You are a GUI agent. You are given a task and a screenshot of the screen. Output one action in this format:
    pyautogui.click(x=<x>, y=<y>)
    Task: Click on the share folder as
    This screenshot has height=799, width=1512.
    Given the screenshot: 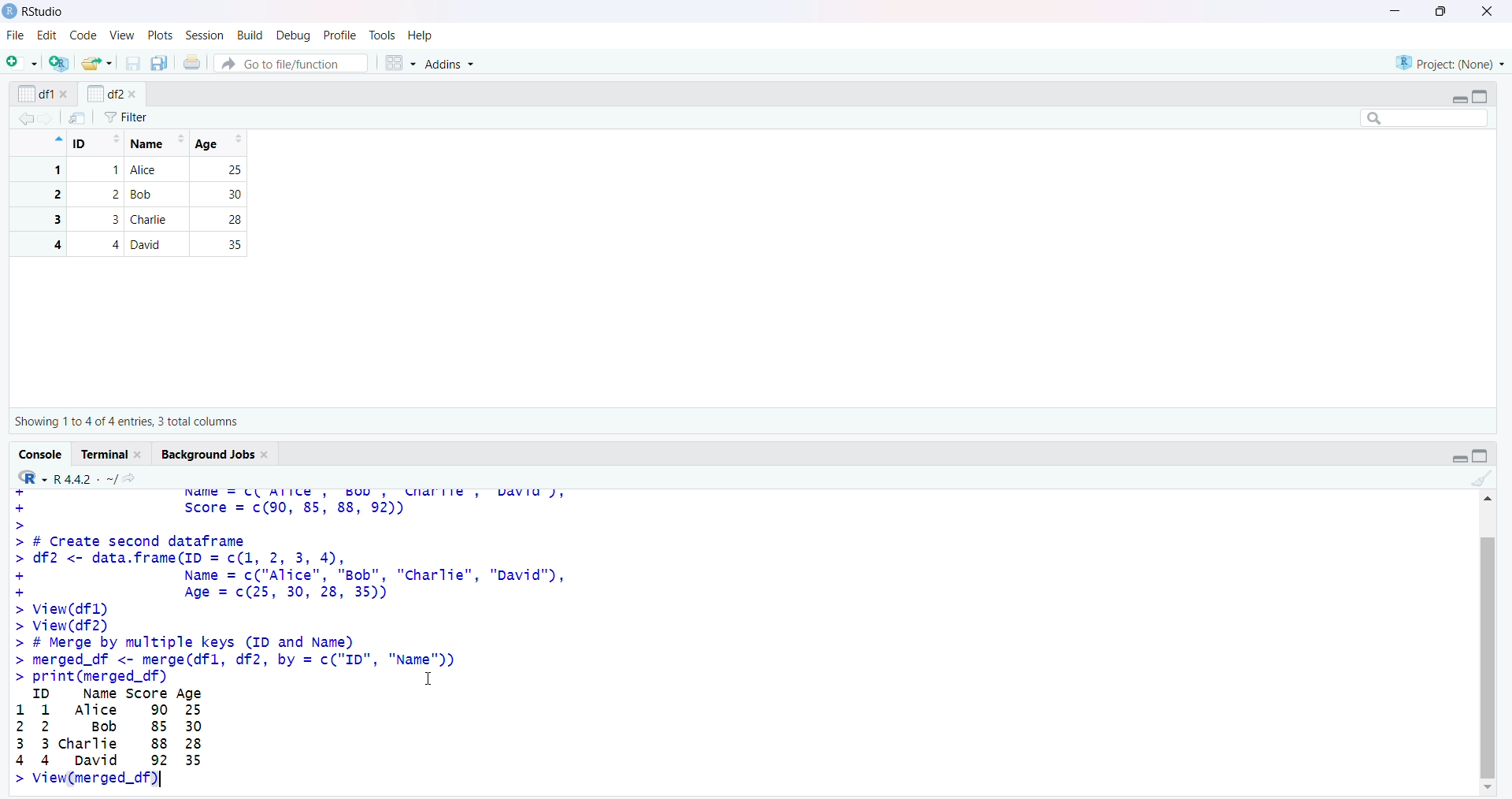 What is the action you would take?
    pyautogui.click(x=98, y=63)
    